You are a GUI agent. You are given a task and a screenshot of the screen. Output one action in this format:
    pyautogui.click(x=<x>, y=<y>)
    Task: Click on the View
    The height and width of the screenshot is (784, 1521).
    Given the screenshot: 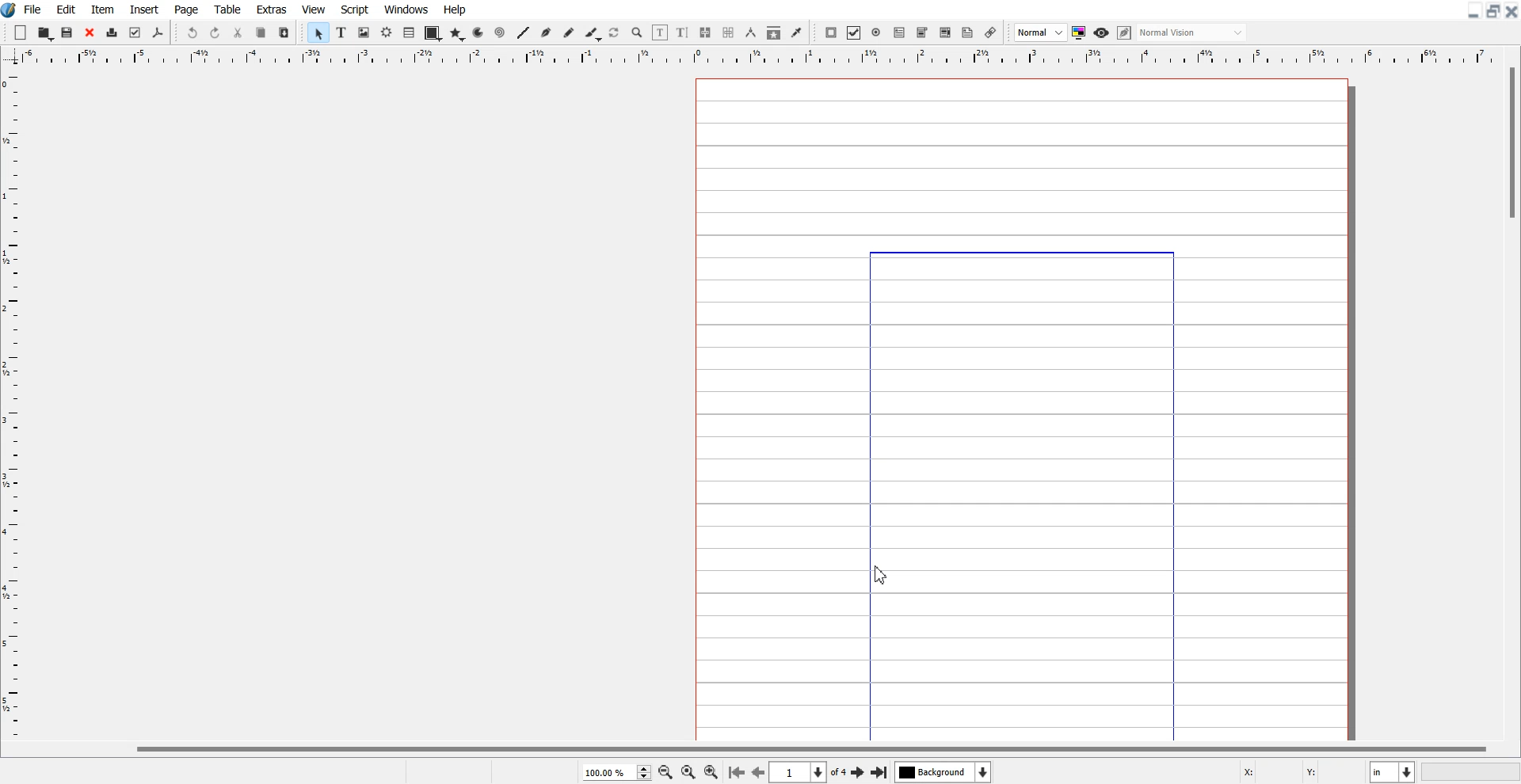 What is the action you would take?
    pyautogui.click(x=314, y=10)
    